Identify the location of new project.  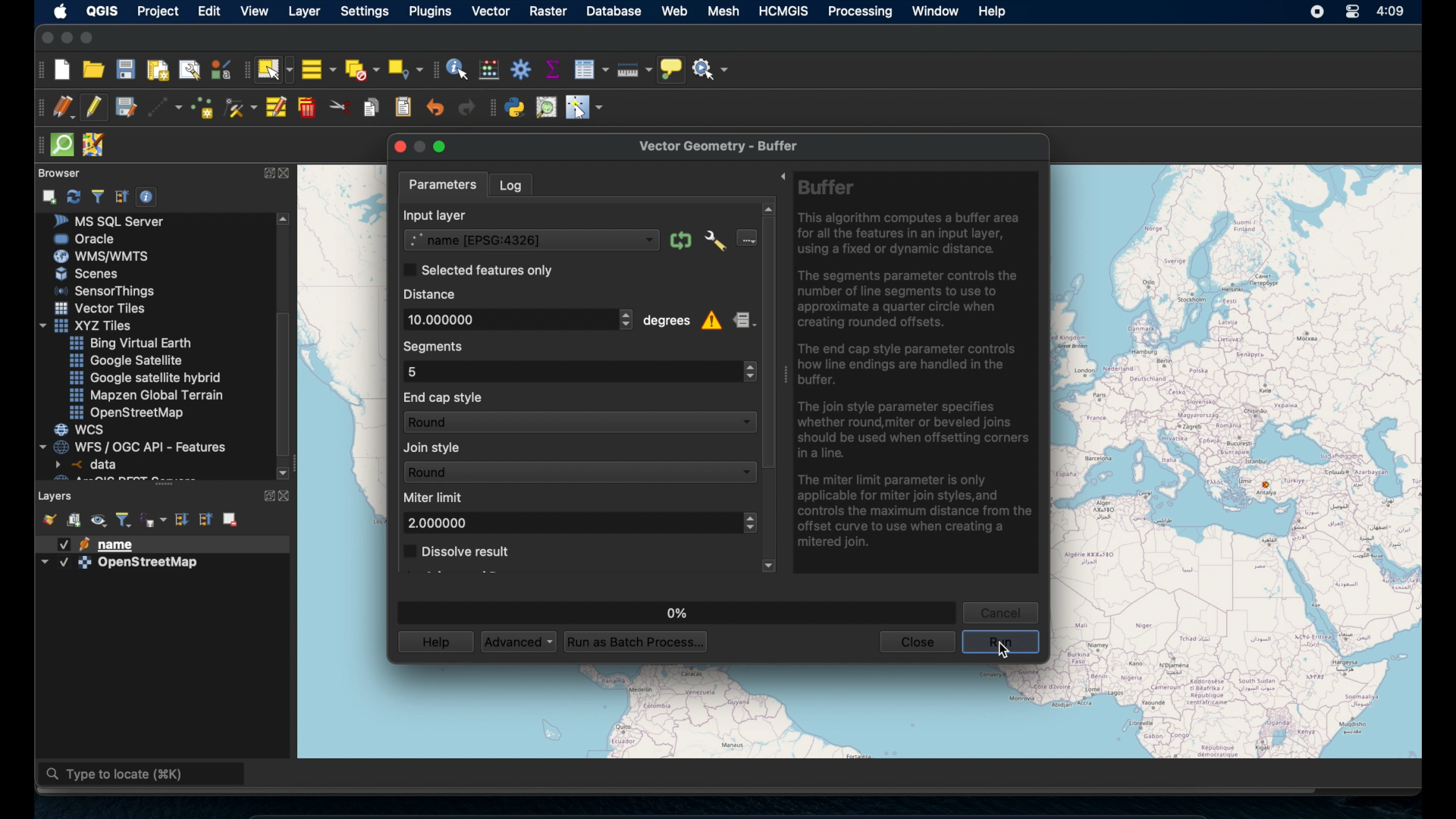
(63, 70).